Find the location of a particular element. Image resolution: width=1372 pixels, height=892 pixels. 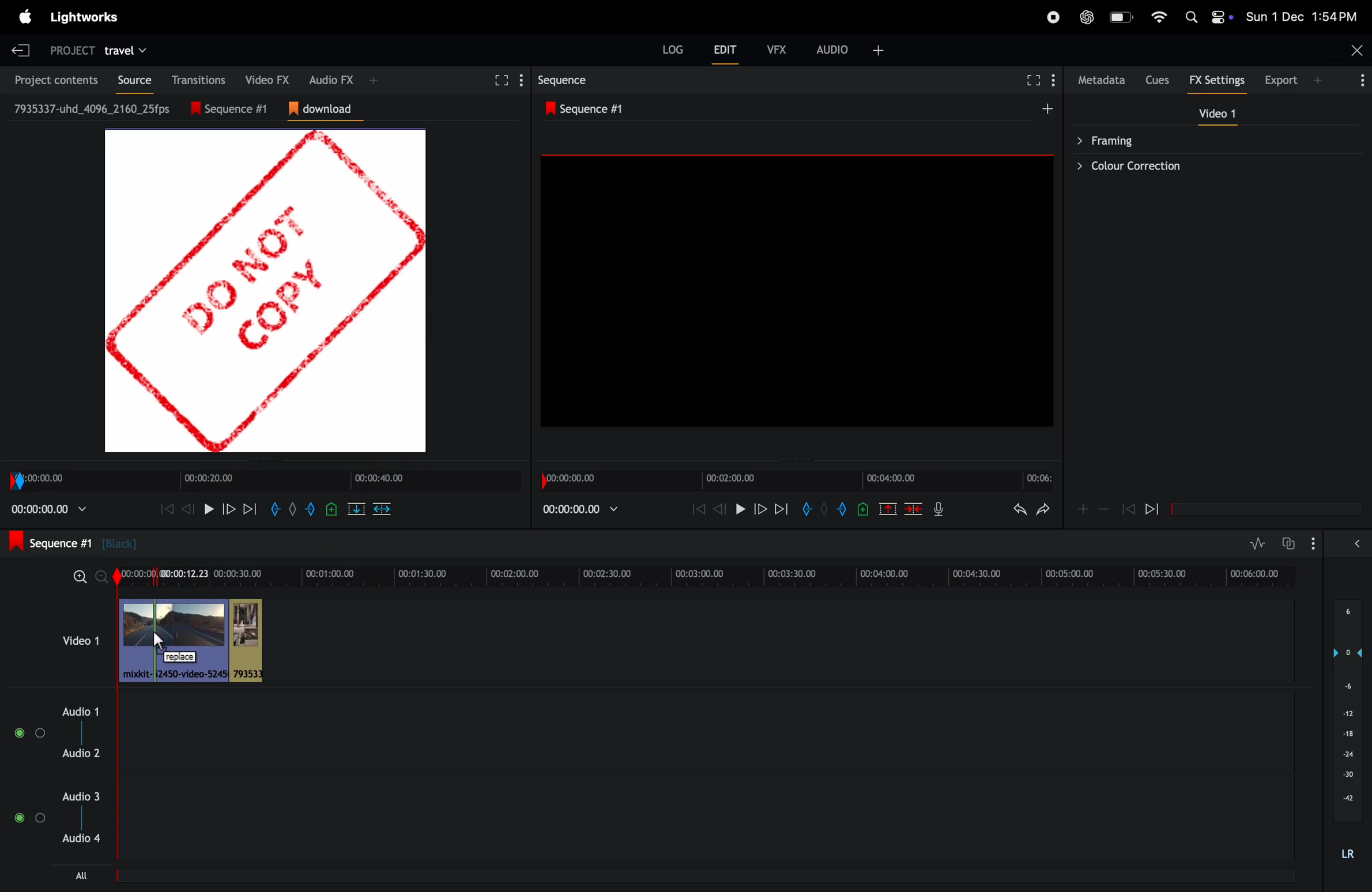

Fx setting is located at coordinates (1218, 80).